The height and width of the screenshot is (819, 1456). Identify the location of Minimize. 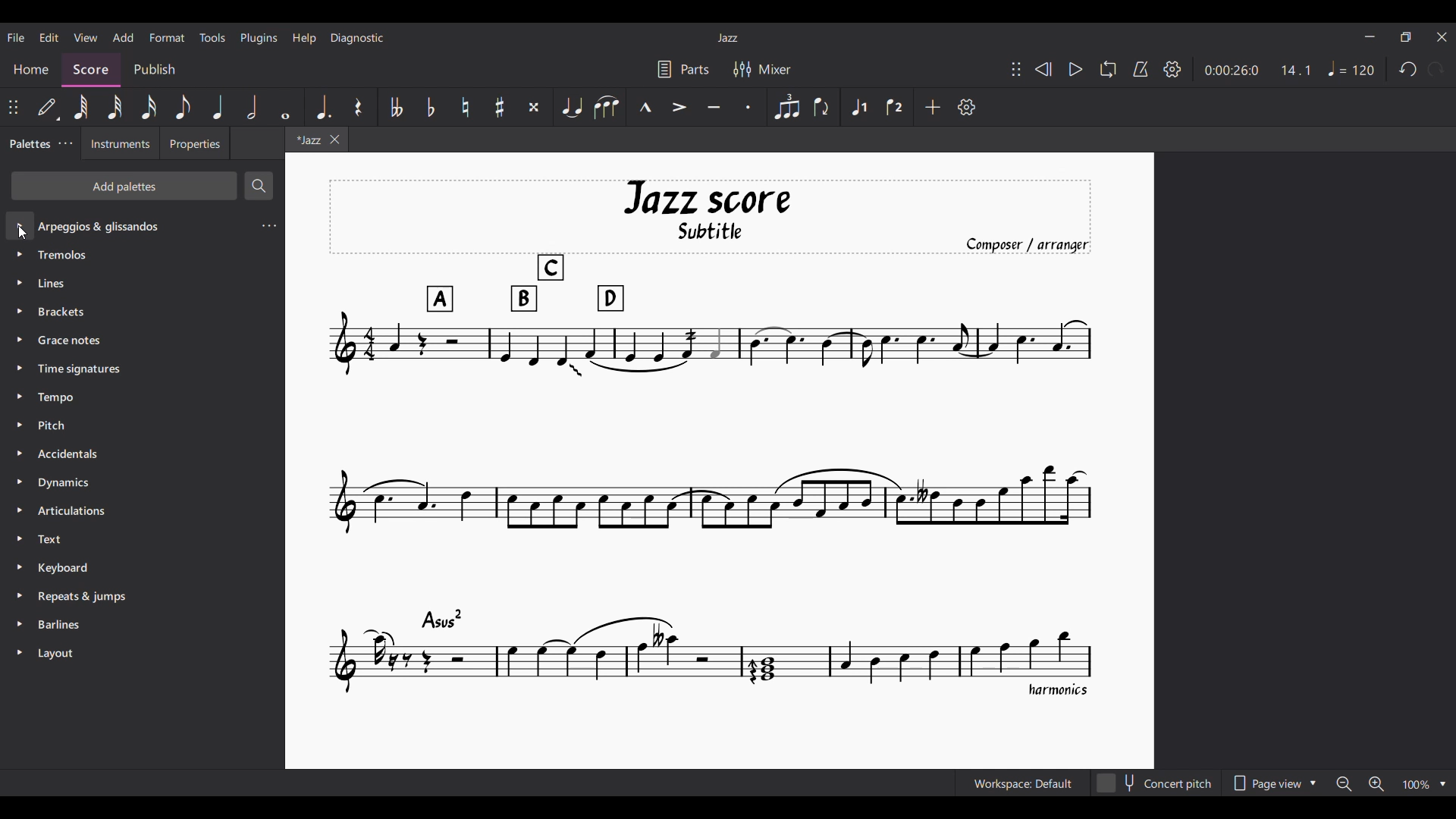
(1370, 36).